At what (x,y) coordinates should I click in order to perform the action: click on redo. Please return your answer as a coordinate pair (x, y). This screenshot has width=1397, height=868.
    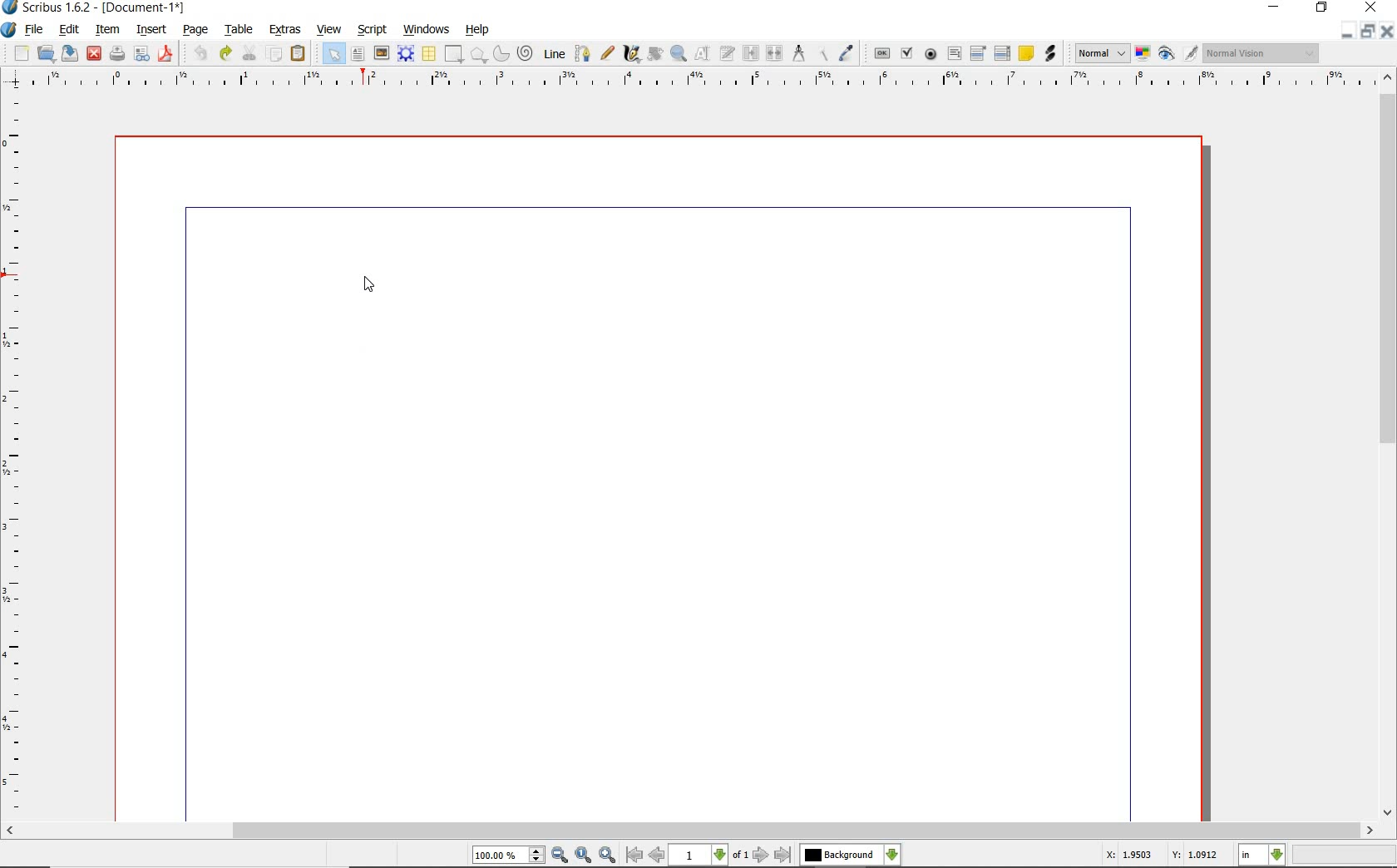
    Looking at the image, I should click on (225, 52).